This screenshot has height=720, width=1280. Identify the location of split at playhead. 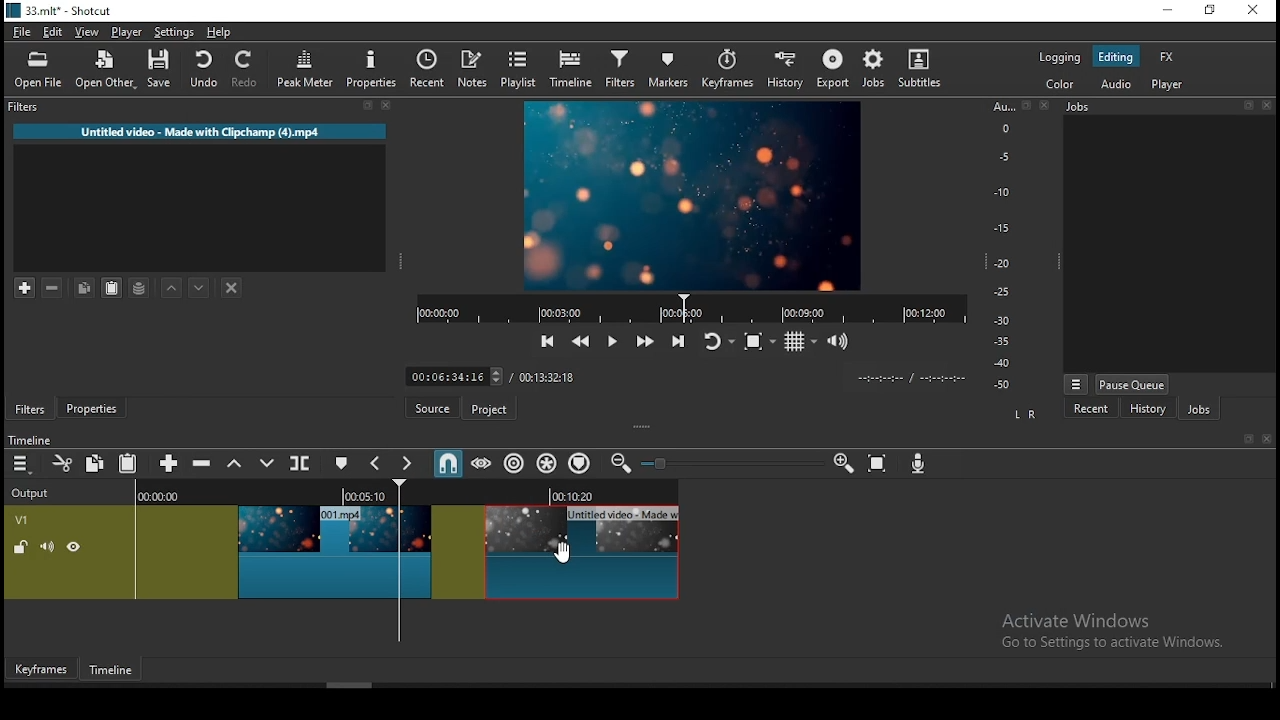
(433, 71).